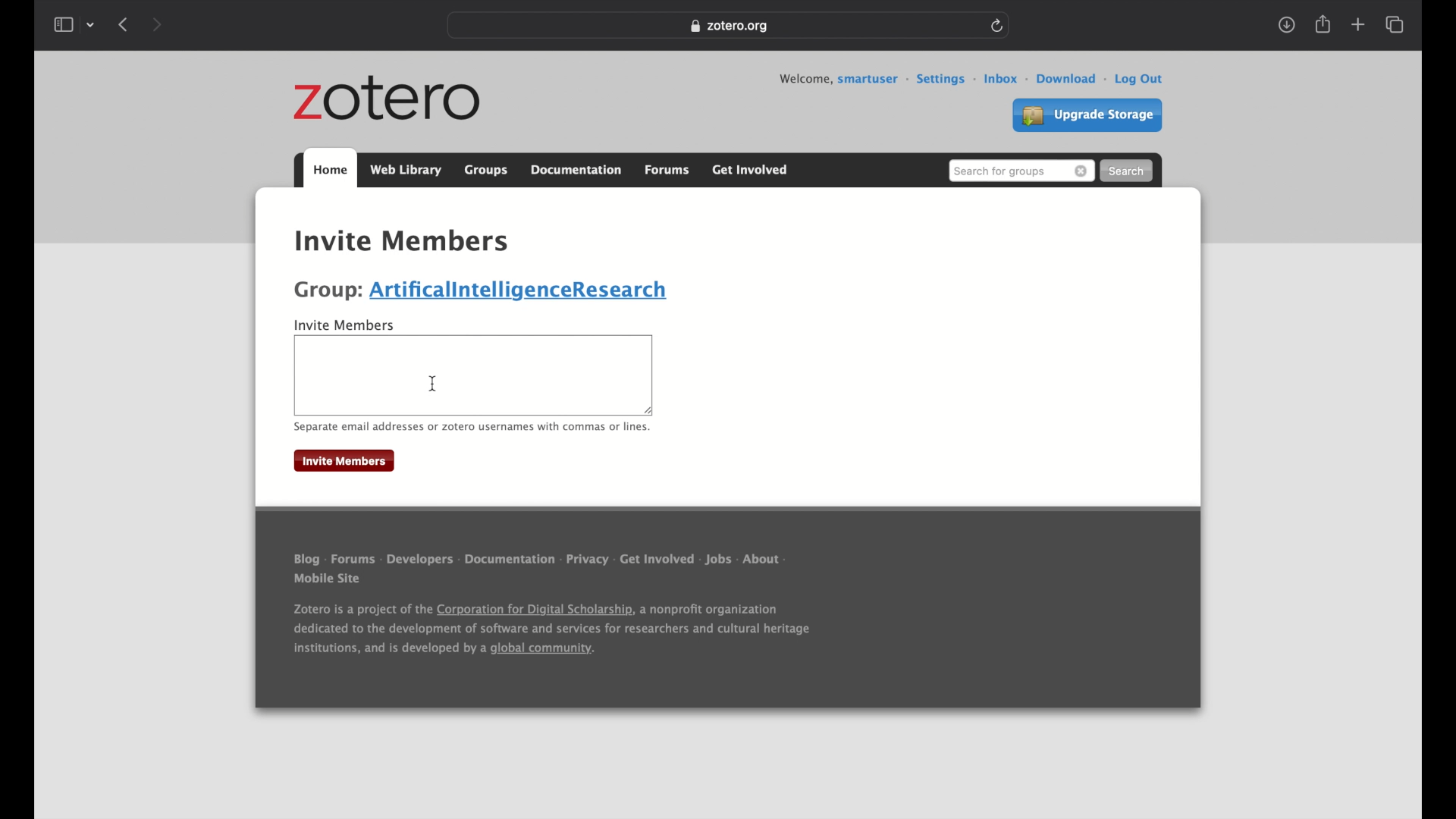 Image resolution: width=1456 pixels, height=819 pixels. What do you see at coordinates (524, 291) in the screenshot?
I see `artificialintelligenceresearch` at bounding box center [524, 291].